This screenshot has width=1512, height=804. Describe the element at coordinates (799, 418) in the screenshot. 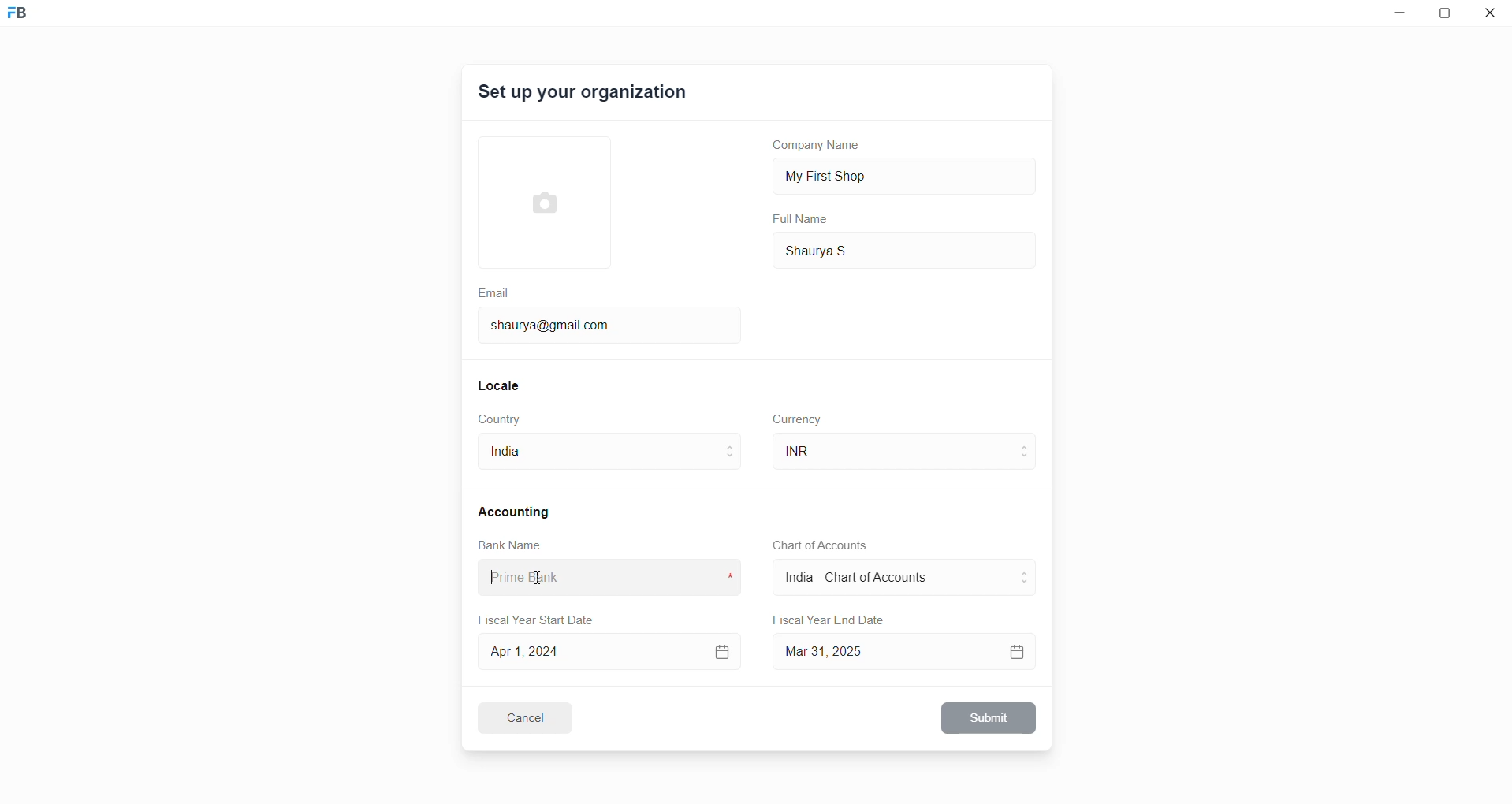

I see `Currency` at that location.